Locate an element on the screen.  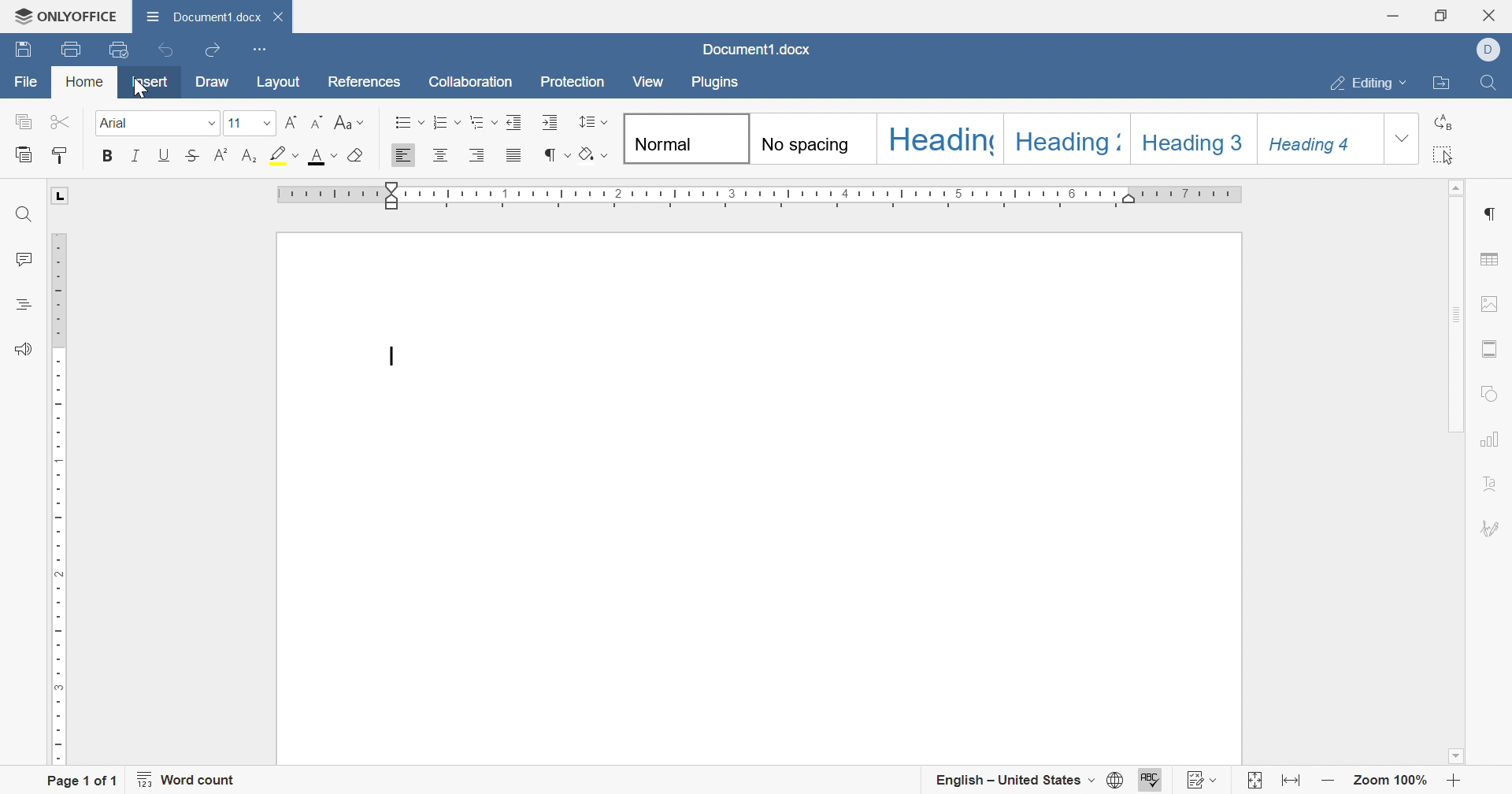
Word Count is located at coordinates (189, 779).